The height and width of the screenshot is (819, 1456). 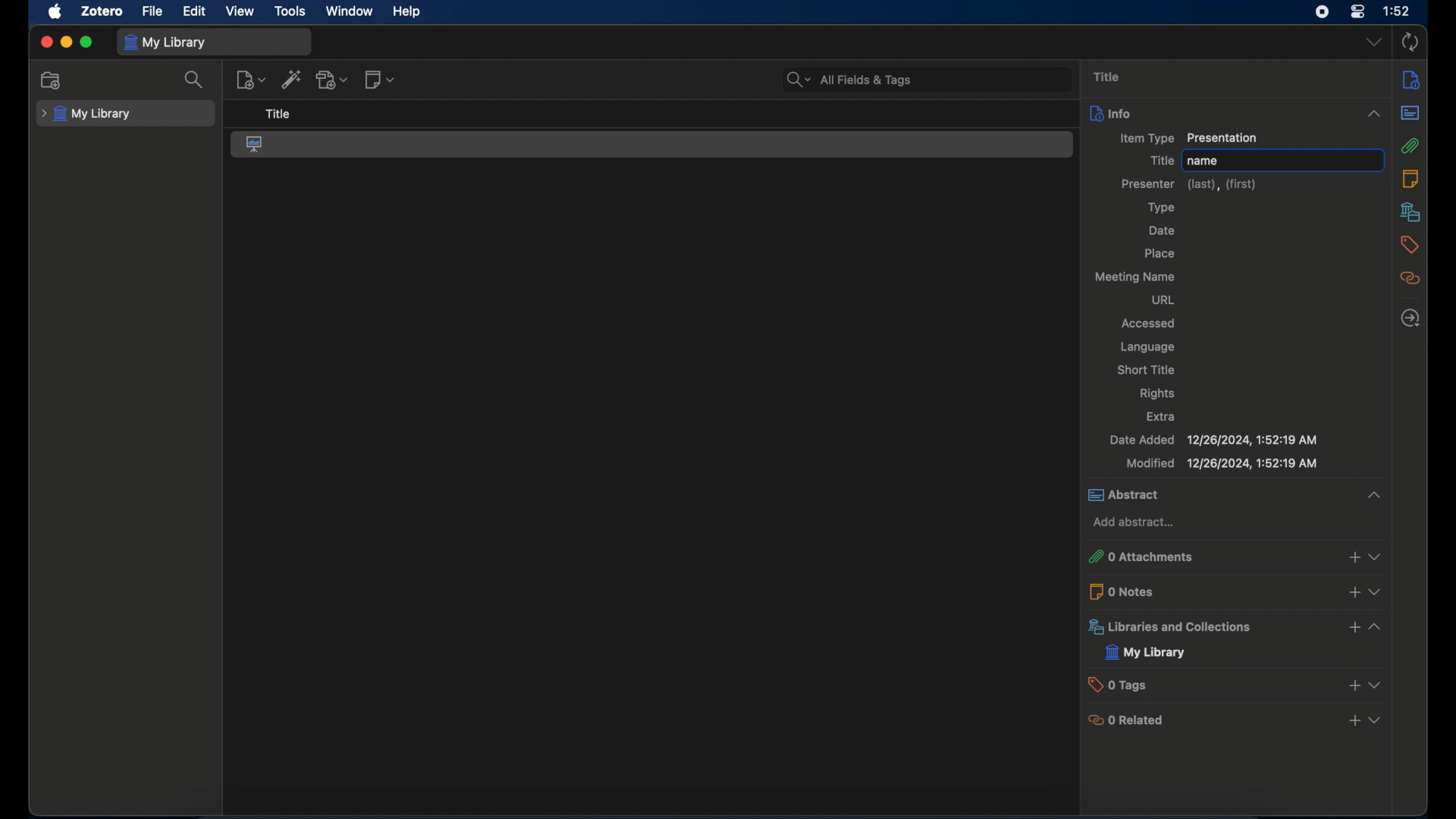 What do you see at coordinates (1282, 158) in the screenshot?
I see `name` at bounding box center [1282, 158].